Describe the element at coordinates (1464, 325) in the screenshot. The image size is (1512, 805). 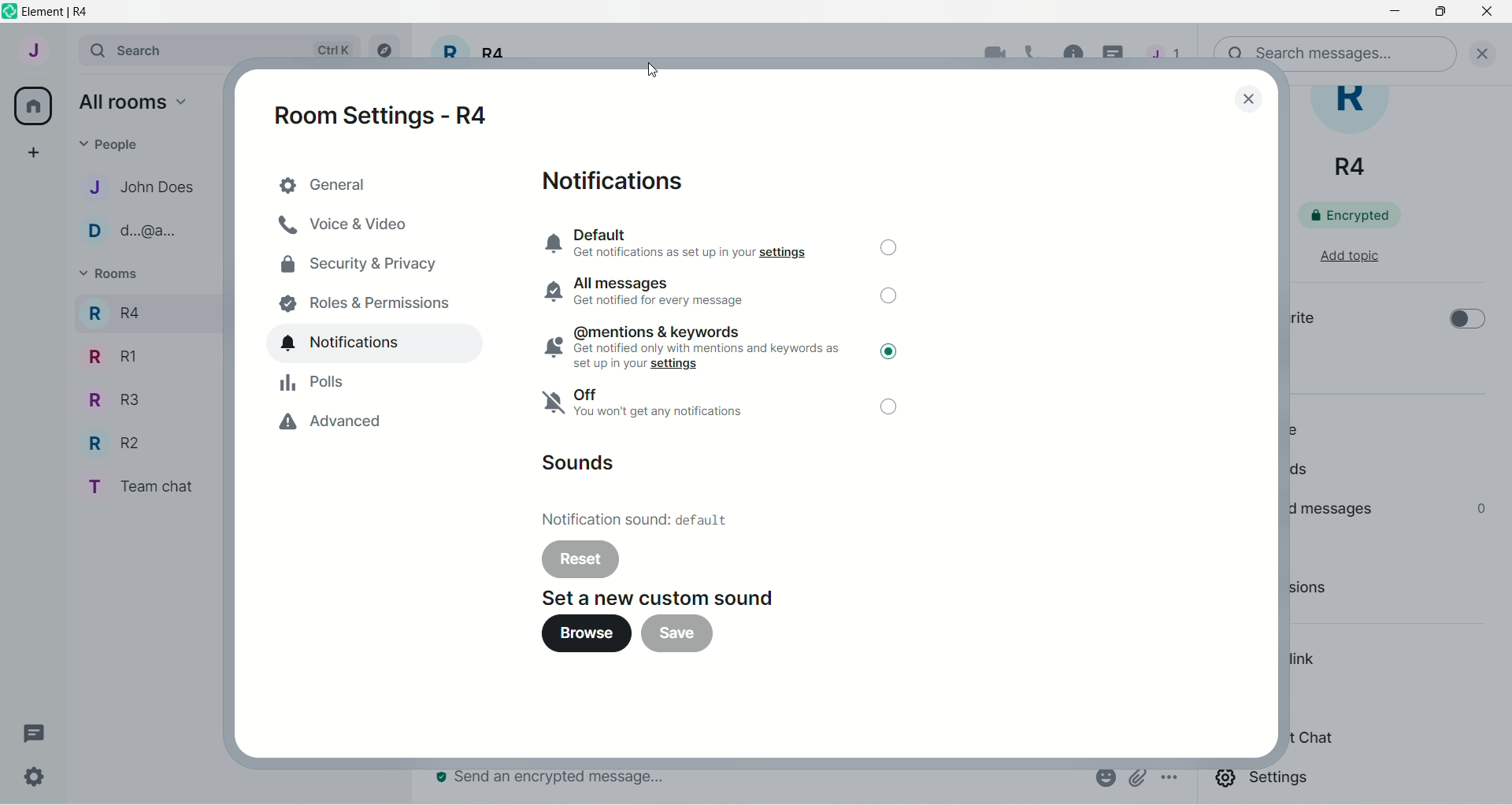
I see `toggle button` at that location.